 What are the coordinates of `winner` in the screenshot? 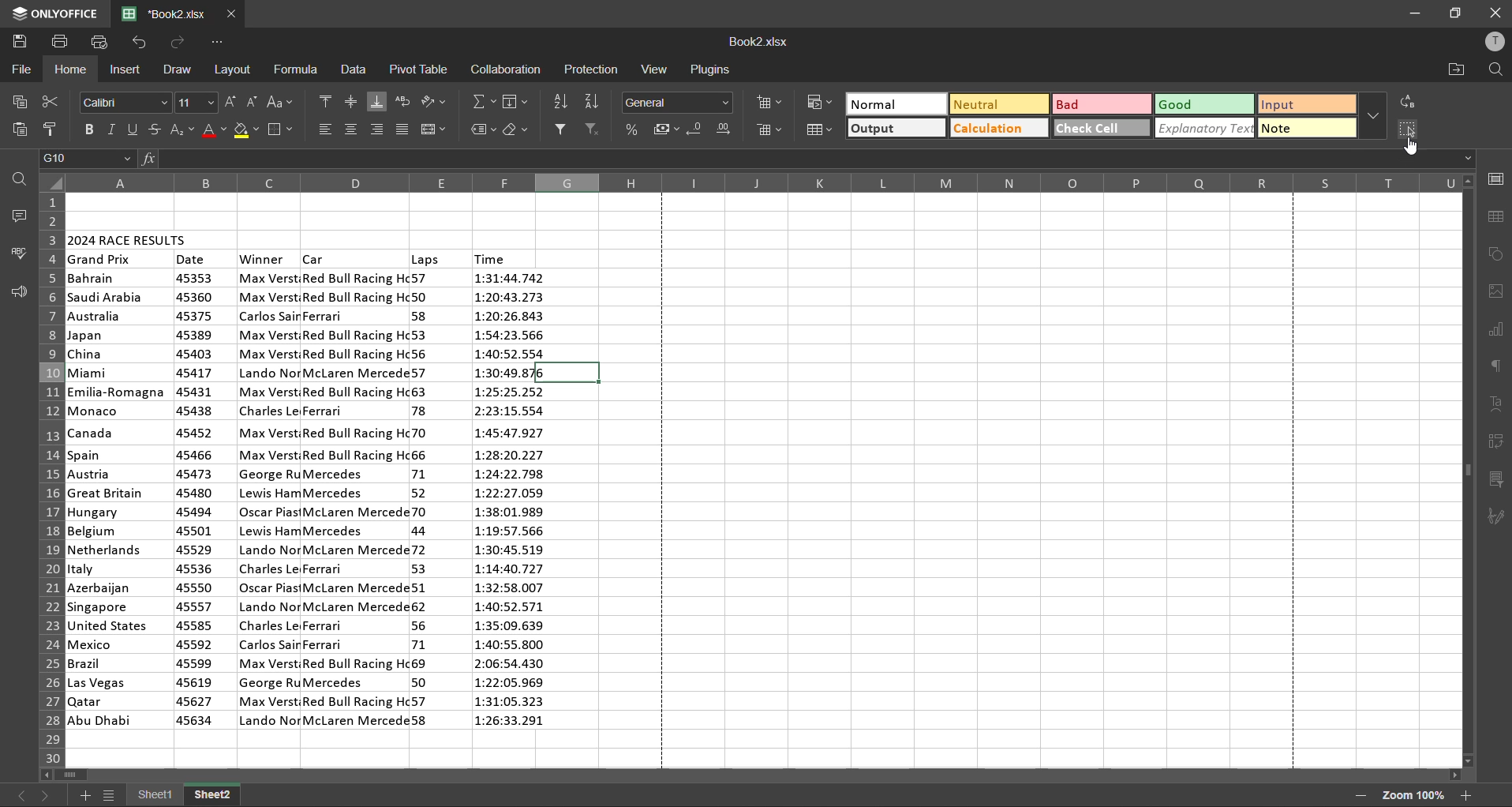 It's located at (264, 259).